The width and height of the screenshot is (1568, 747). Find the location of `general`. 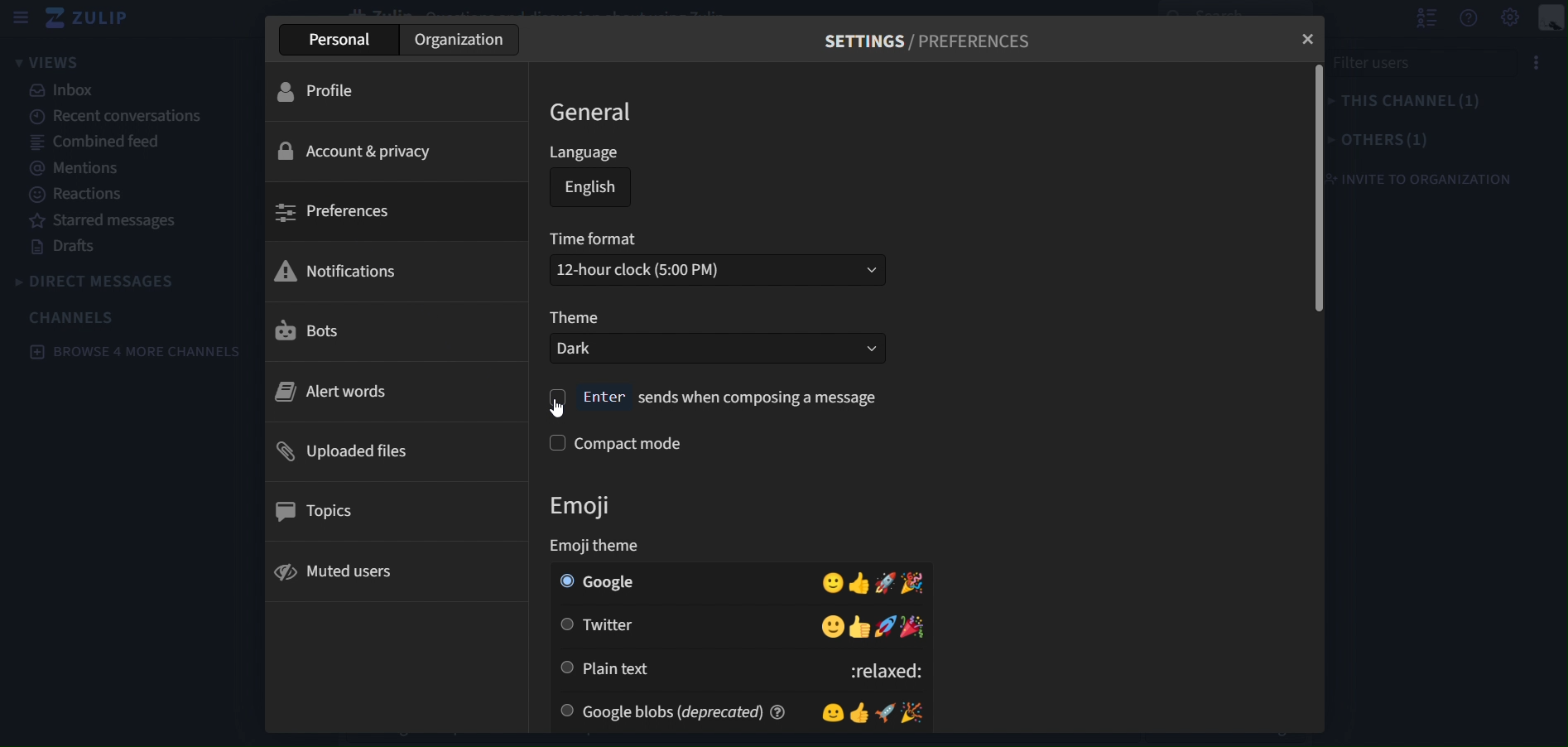

general is located at coordinates (596, 112).